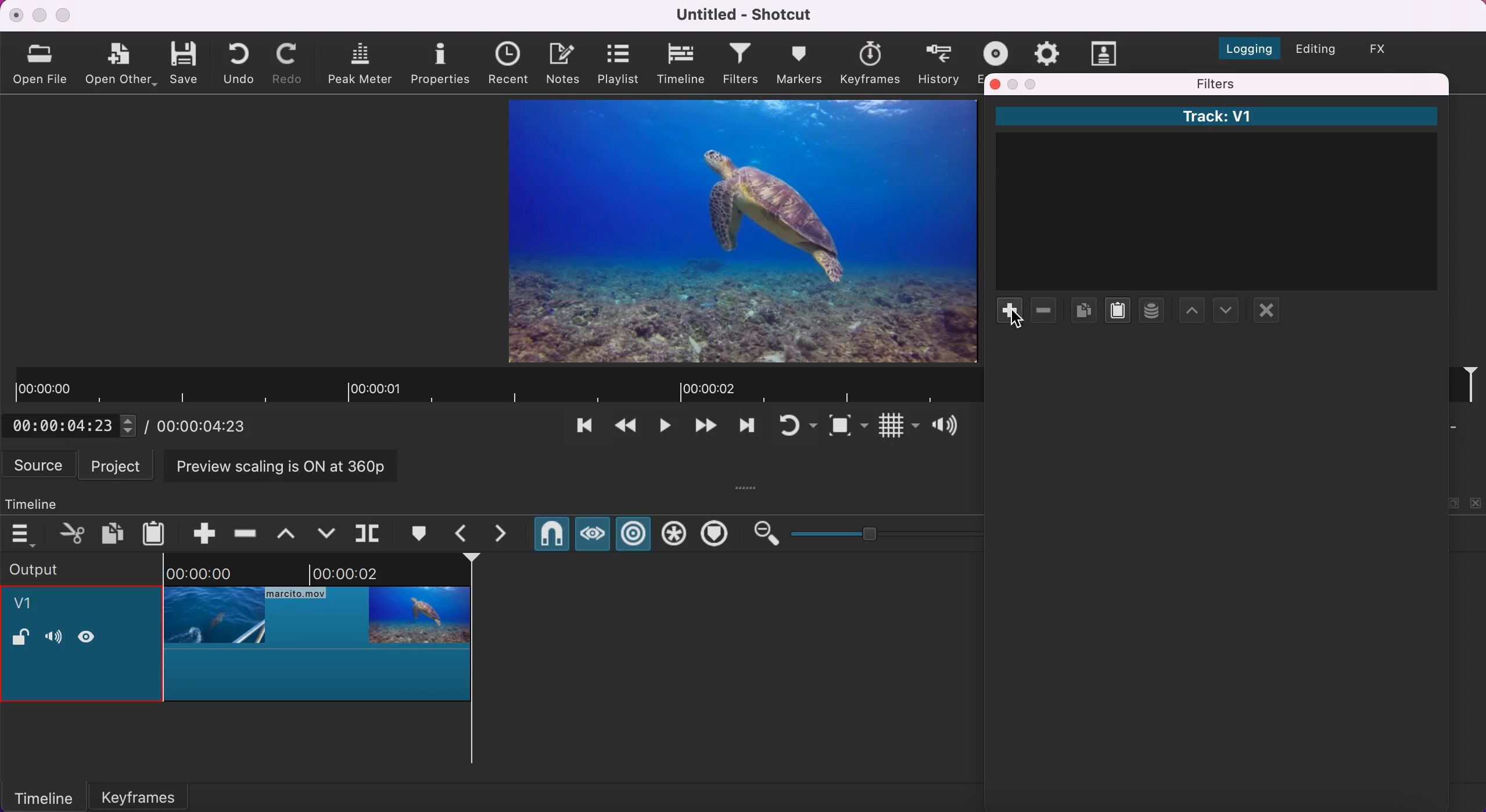  What do you see at coordinates (580, 429) in the screenshot?
I see `skip to the previous point` at bounding box center [580, 429].